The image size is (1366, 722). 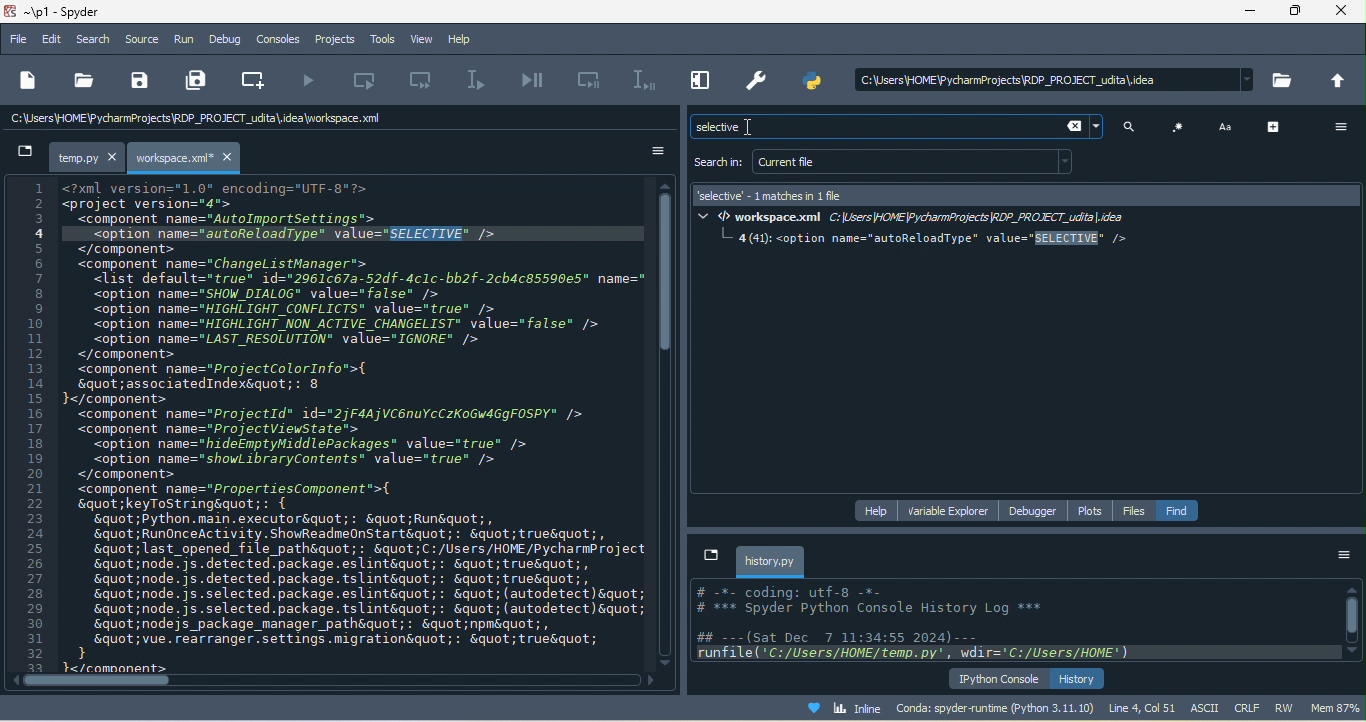 I want to click on open, so click(x=83, y=80).